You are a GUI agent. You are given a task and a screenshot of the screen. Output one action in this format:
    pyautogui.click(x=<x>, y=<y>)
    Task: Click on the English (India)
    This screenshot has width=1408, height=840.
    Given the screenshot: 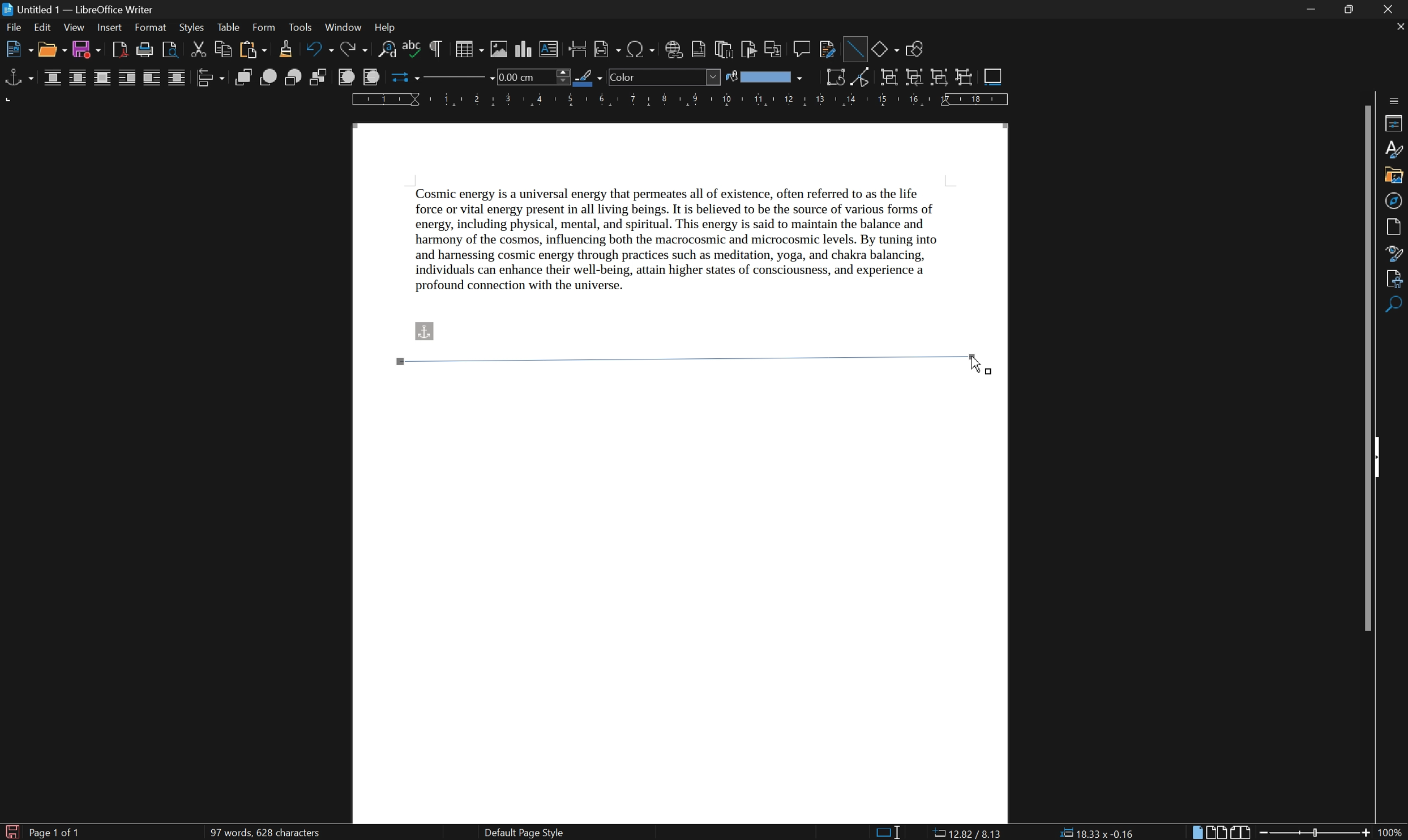 What is the action you would take?
    pyautogui.click(x=739, y=833)
    